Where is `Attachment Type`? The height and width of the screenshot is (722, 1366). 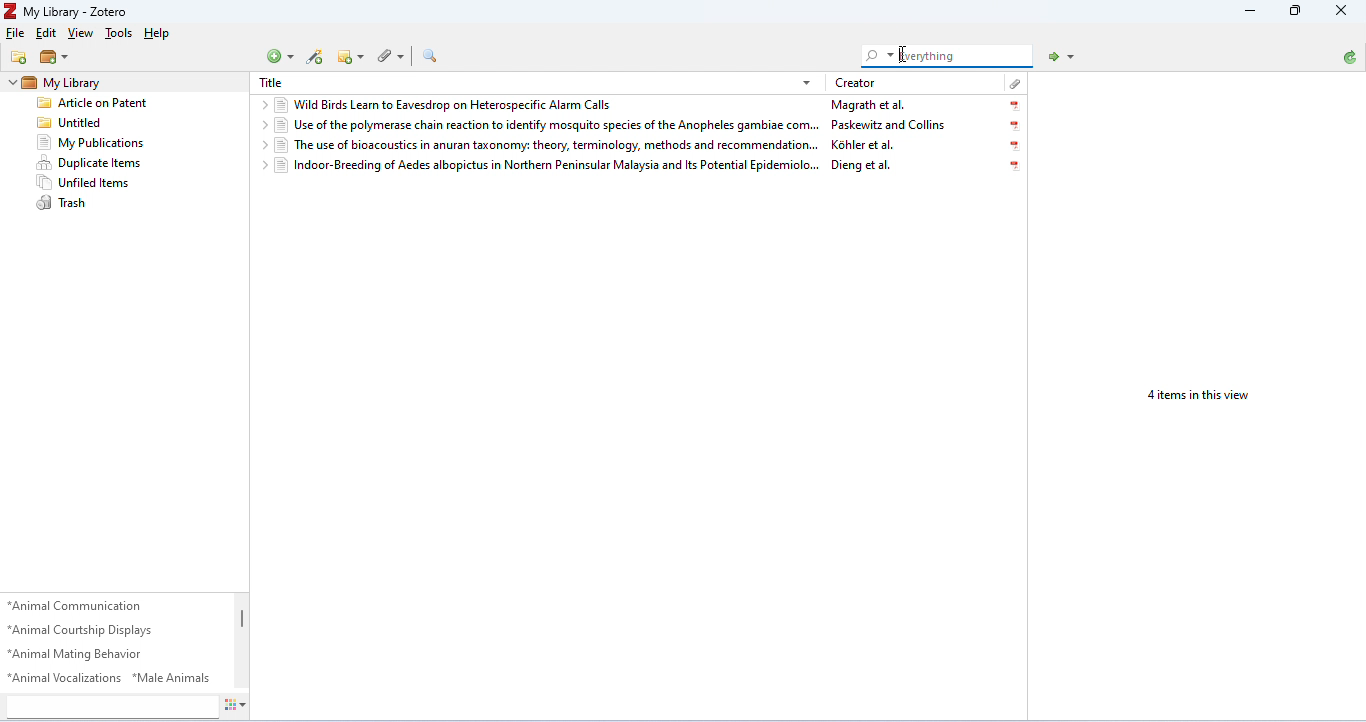 Attachment Type is located at coordinates (1014, 83).